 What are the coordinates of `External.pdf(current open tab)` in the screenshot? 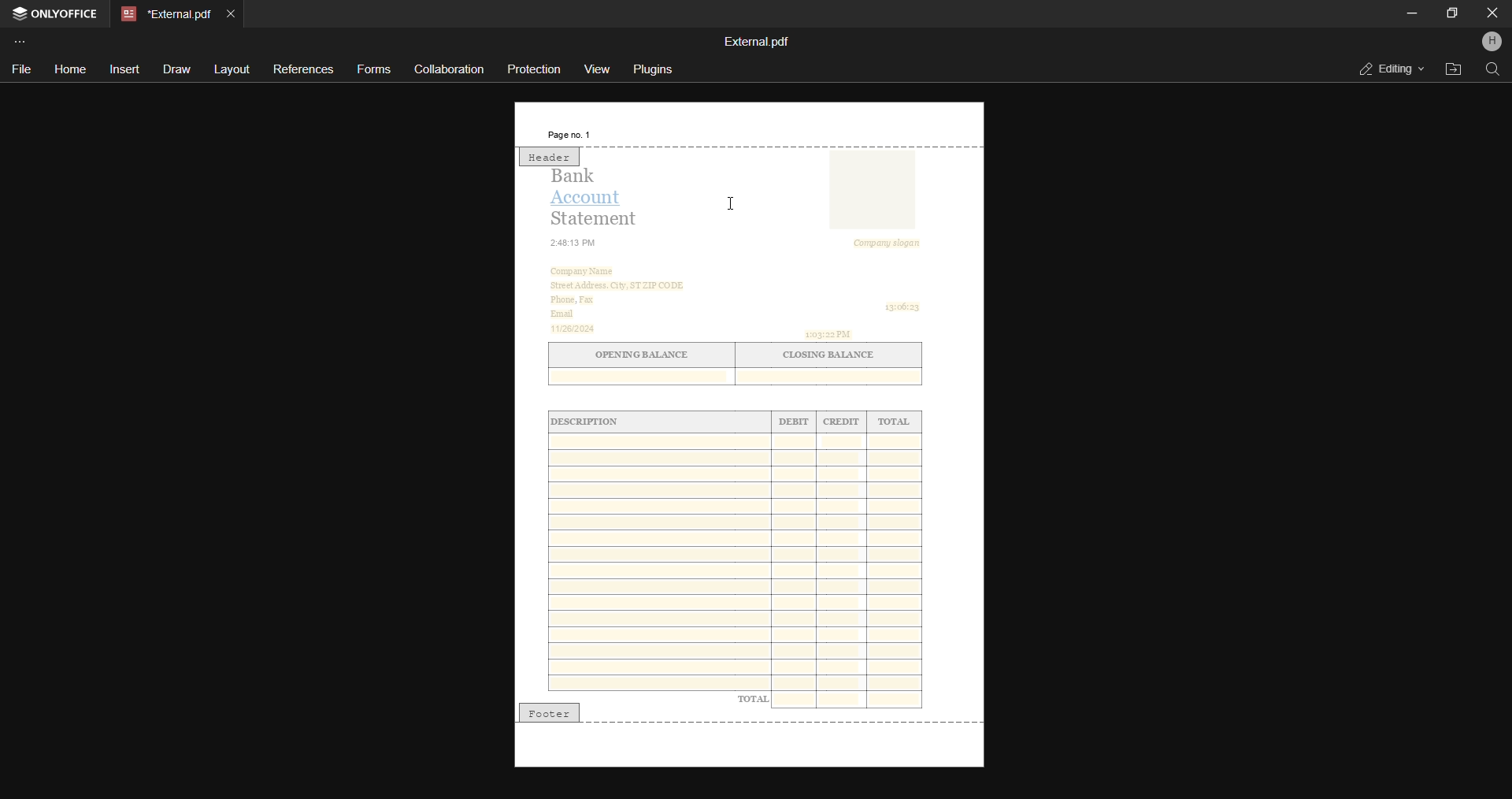 It's located at (164, 14).